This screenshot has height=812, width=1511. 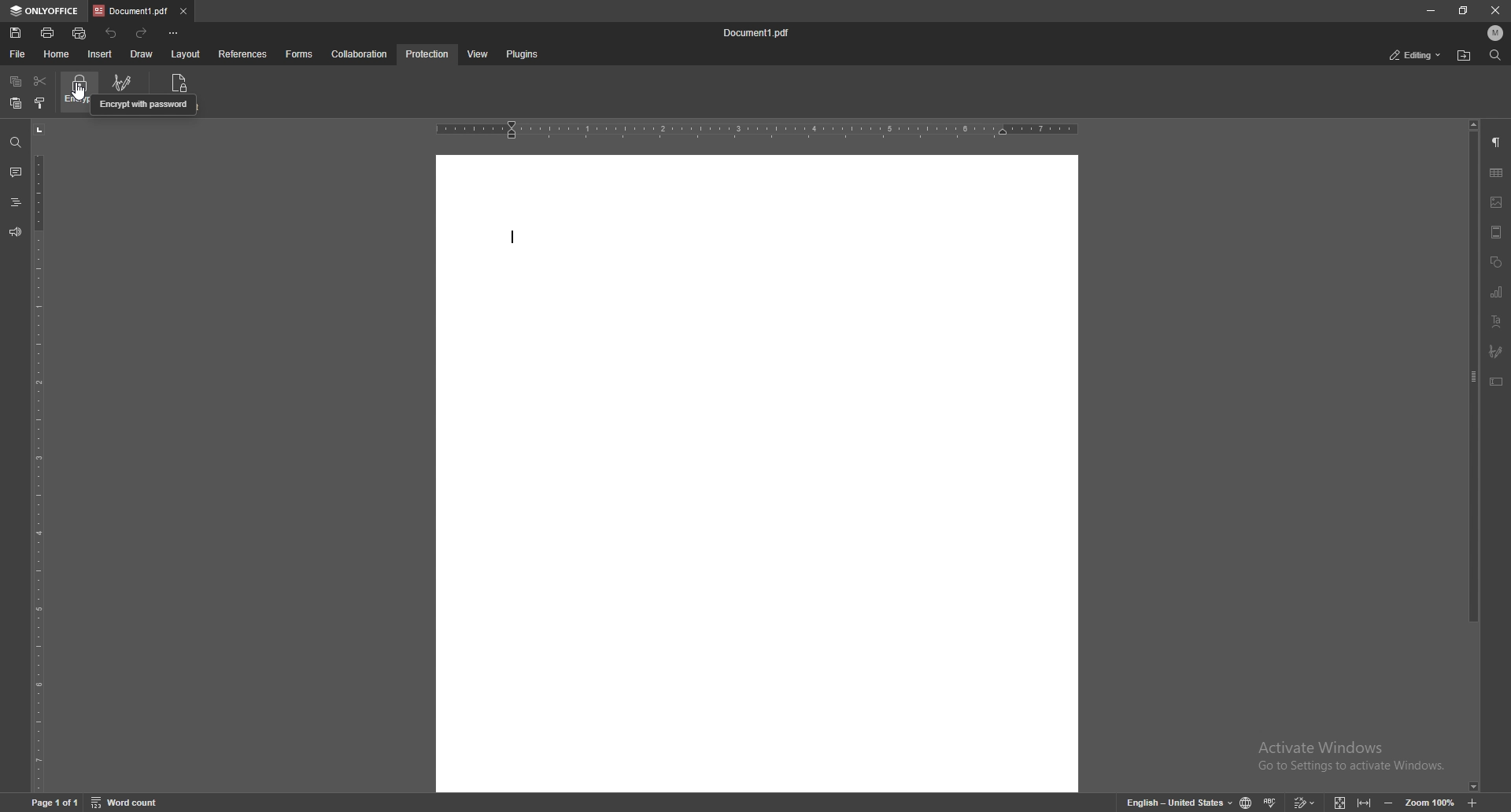 What do you see at coordinates (756, 474) in the screenshot?
I see `document` at bounding box center [756, 474].